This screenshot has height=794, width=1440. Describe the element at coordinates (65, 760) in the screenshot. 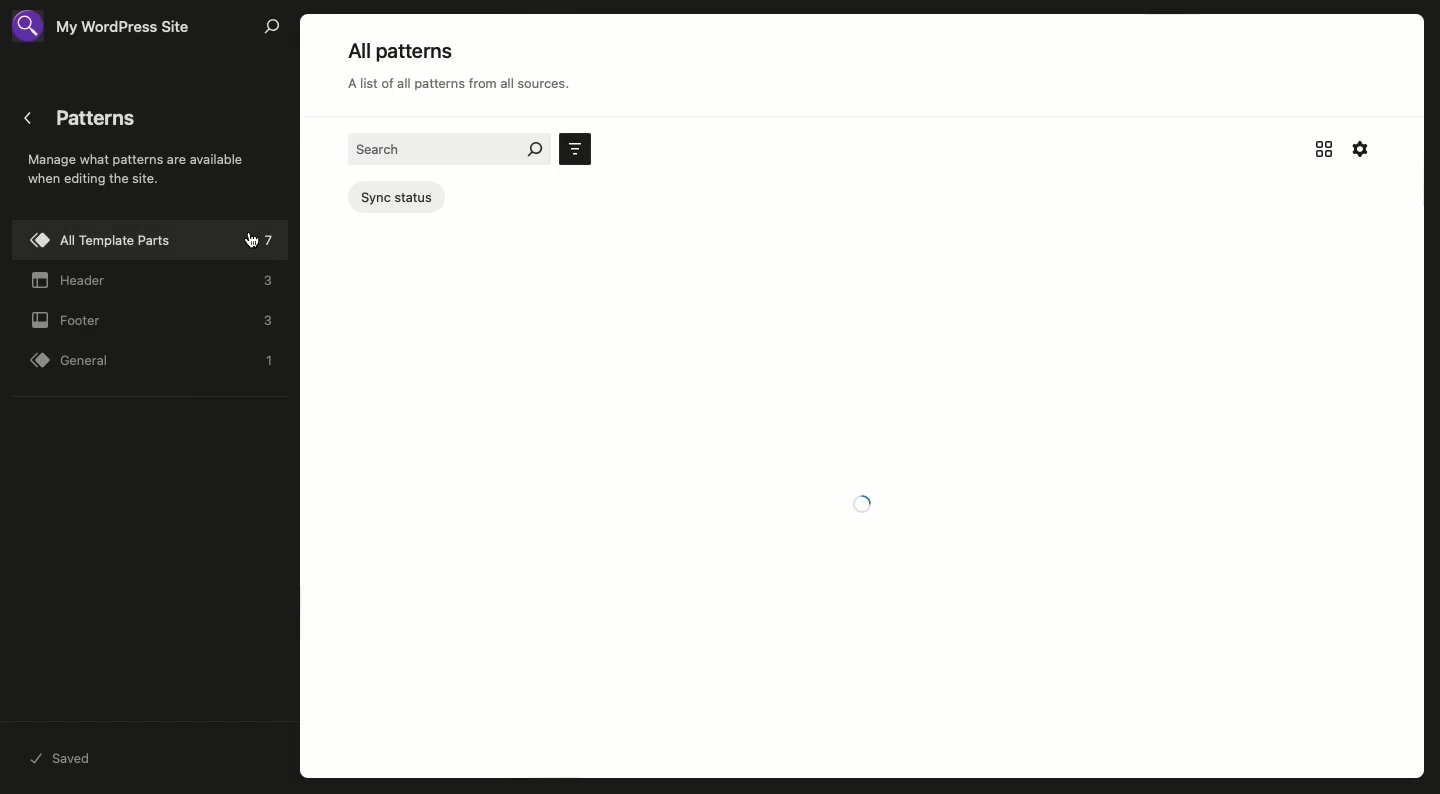

I see `Saved` at that location.